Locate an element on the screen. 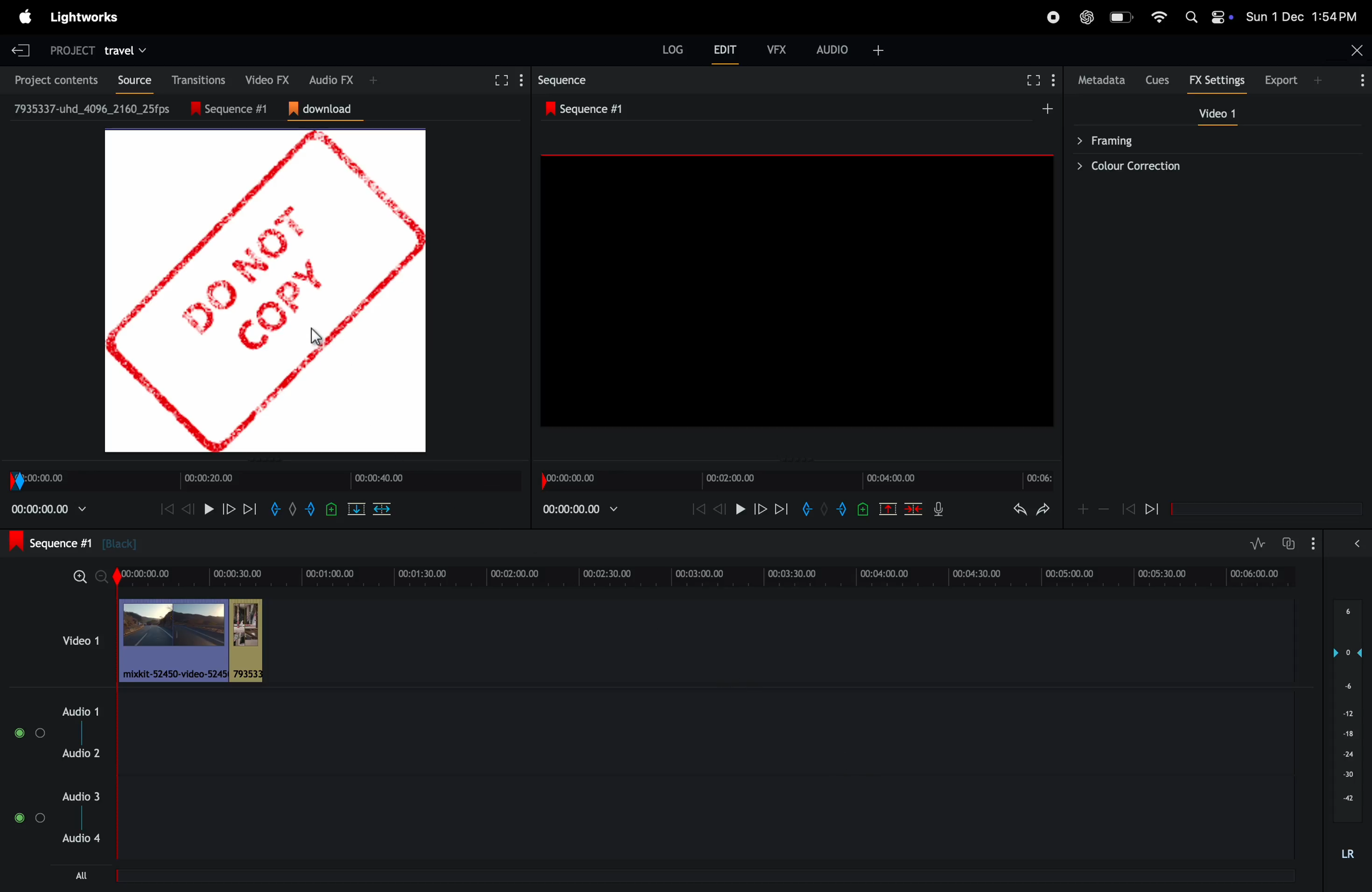 This screenshot has width=1372, height=892. project contents is located at coordinates (52, 79).